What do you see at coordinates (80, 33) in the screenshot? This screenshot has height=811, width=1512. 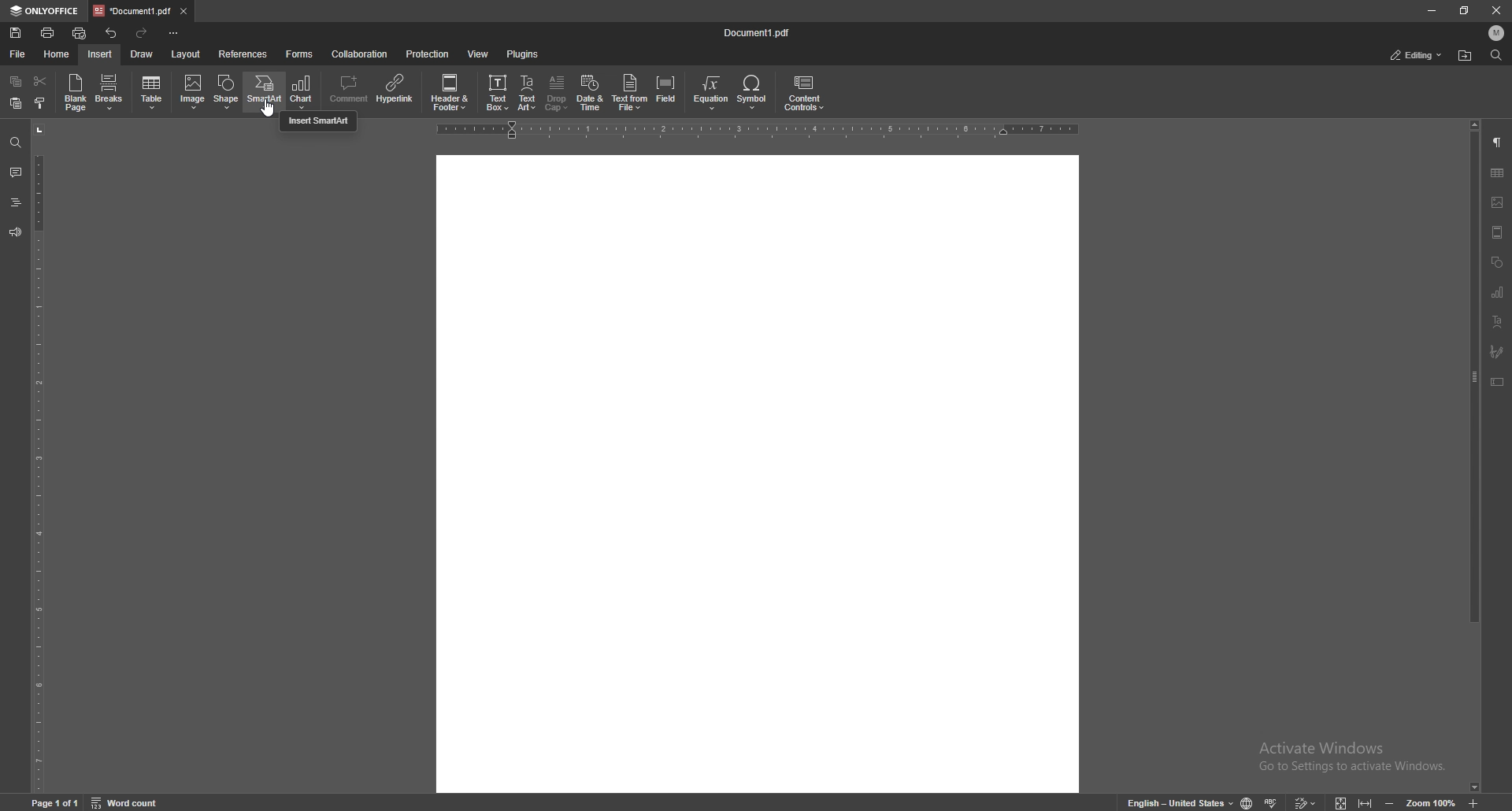 I see `quick print` at bounding box center [80, 33].